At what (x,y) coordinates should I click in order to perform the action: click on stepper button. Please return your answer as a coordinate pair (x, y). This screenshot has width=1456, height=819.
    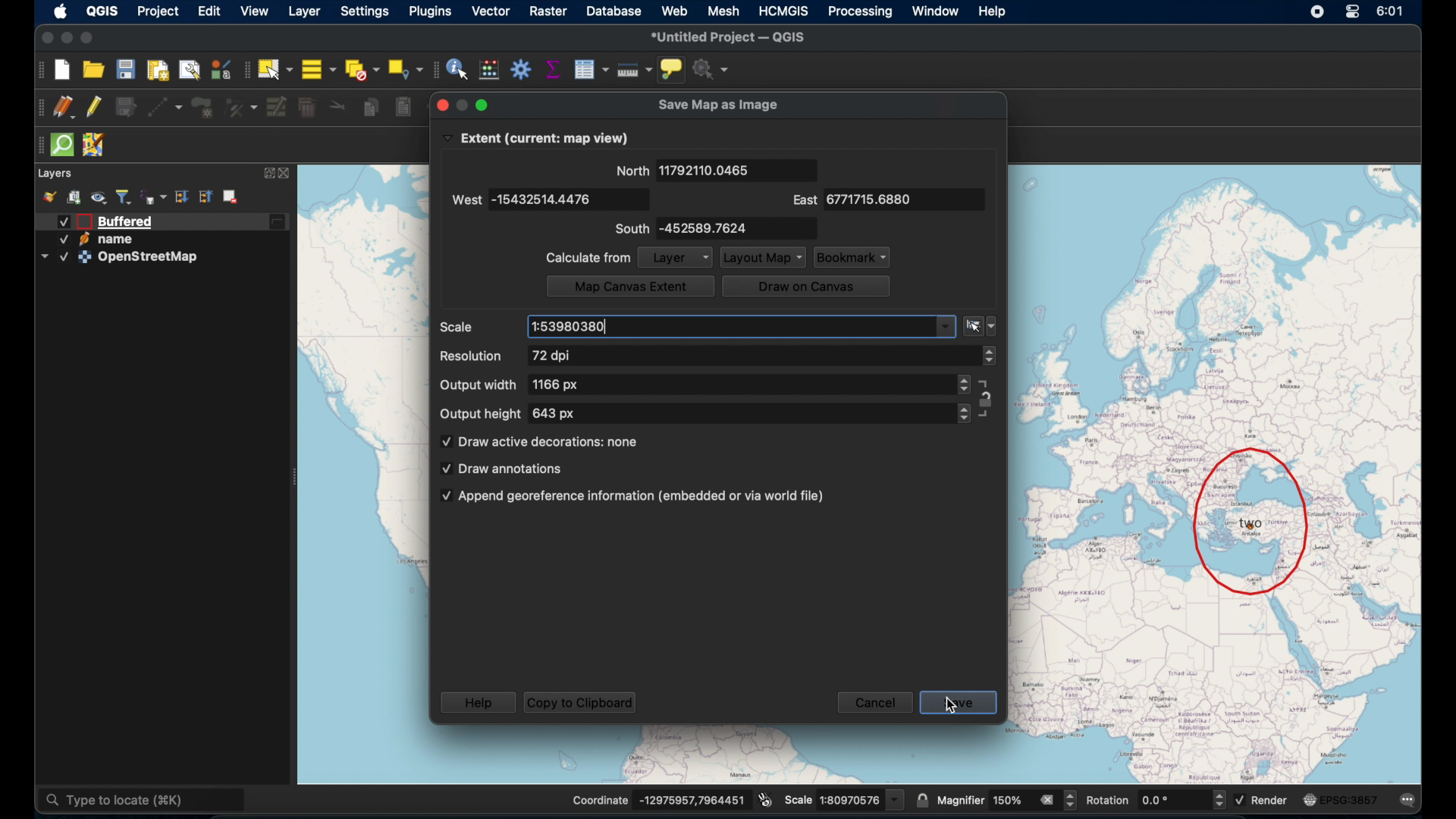
    Looking at the image, I should click on (965, 385).